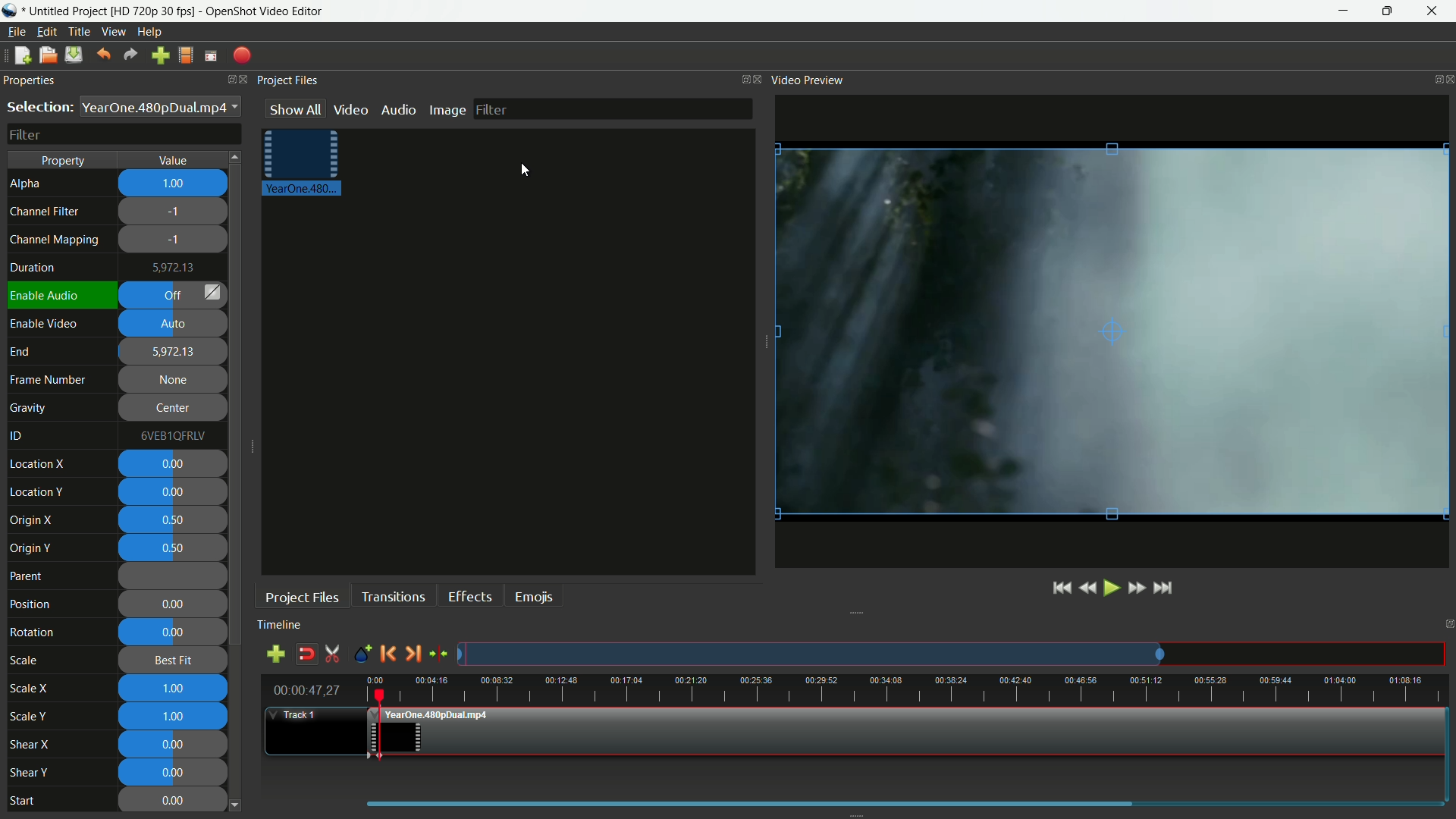 This screenshot has height=819, width=1456. I want to click on video preview, so click(808, 80).